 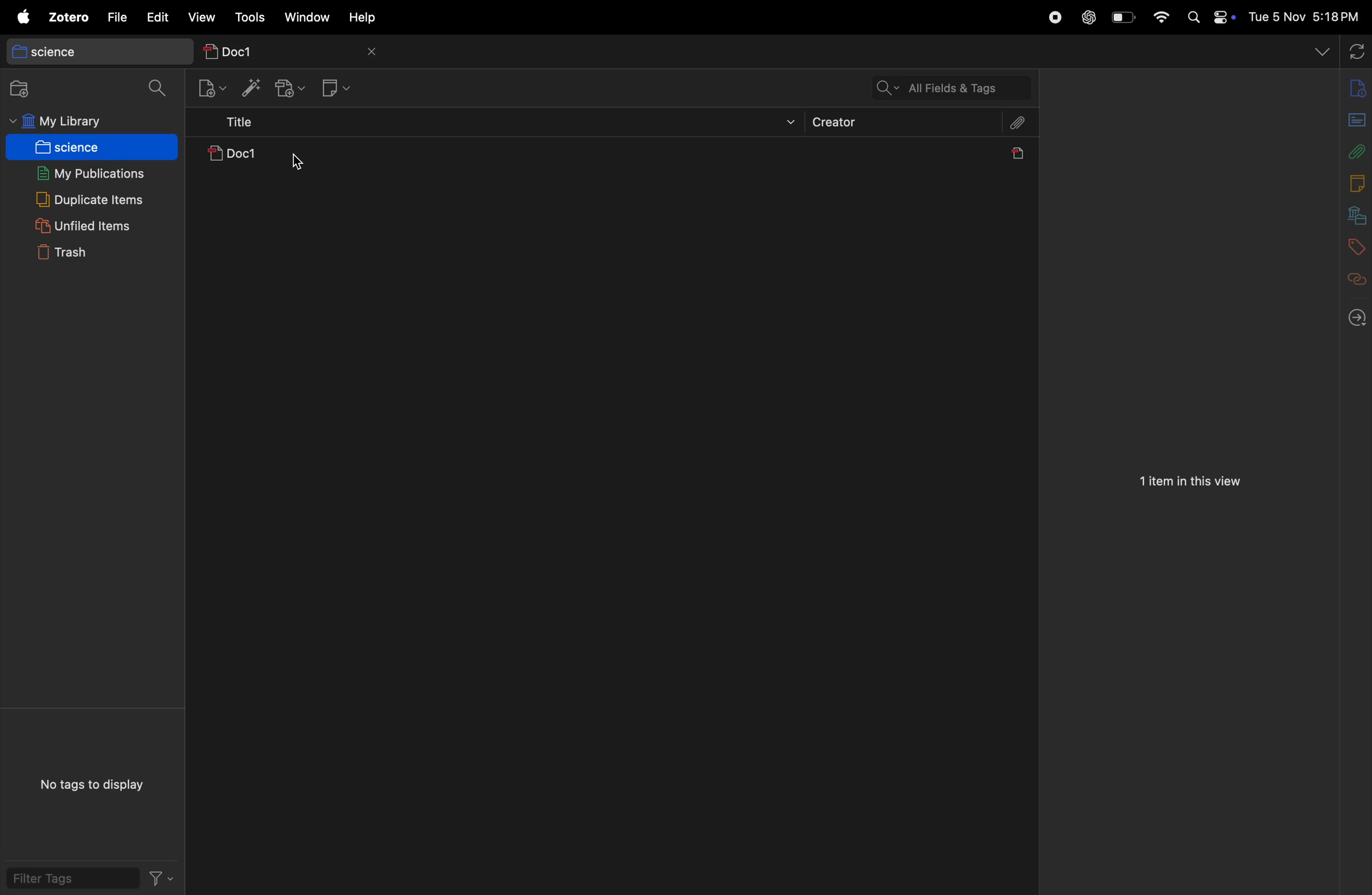 What do you see at coordinates (1352, 277) in the screenshot?
I see `link` at bounding box center [1352, 277].